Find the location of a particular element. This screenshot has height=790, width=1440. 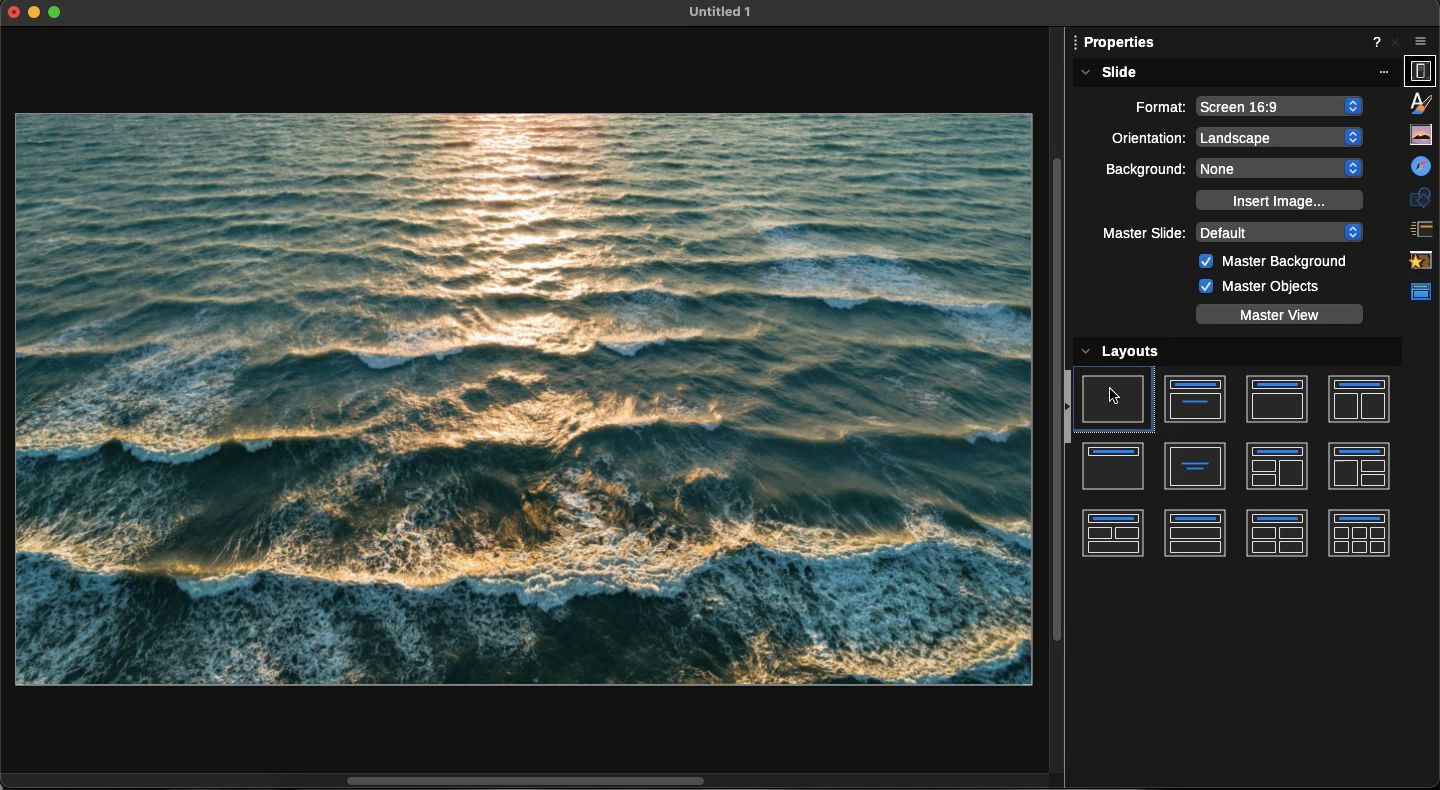

File name is located at coordinates (714, 11).